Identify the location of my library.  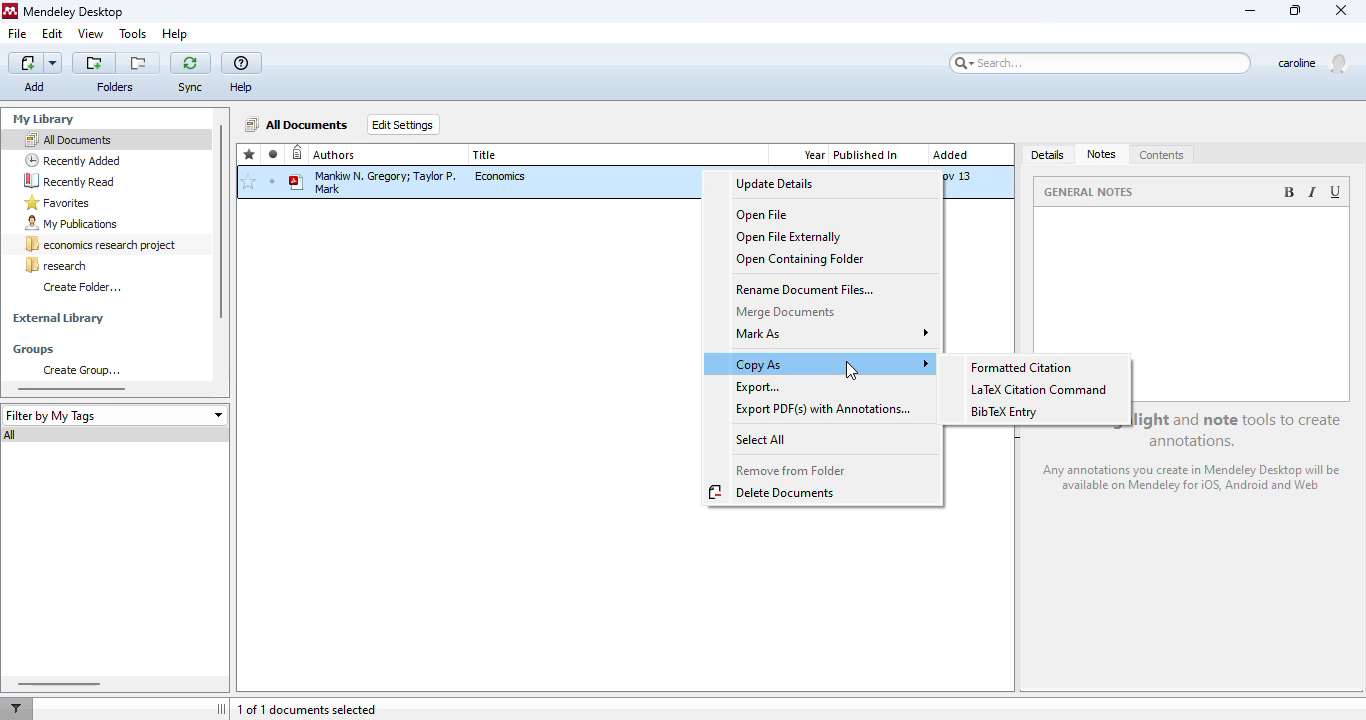
(46, 119).